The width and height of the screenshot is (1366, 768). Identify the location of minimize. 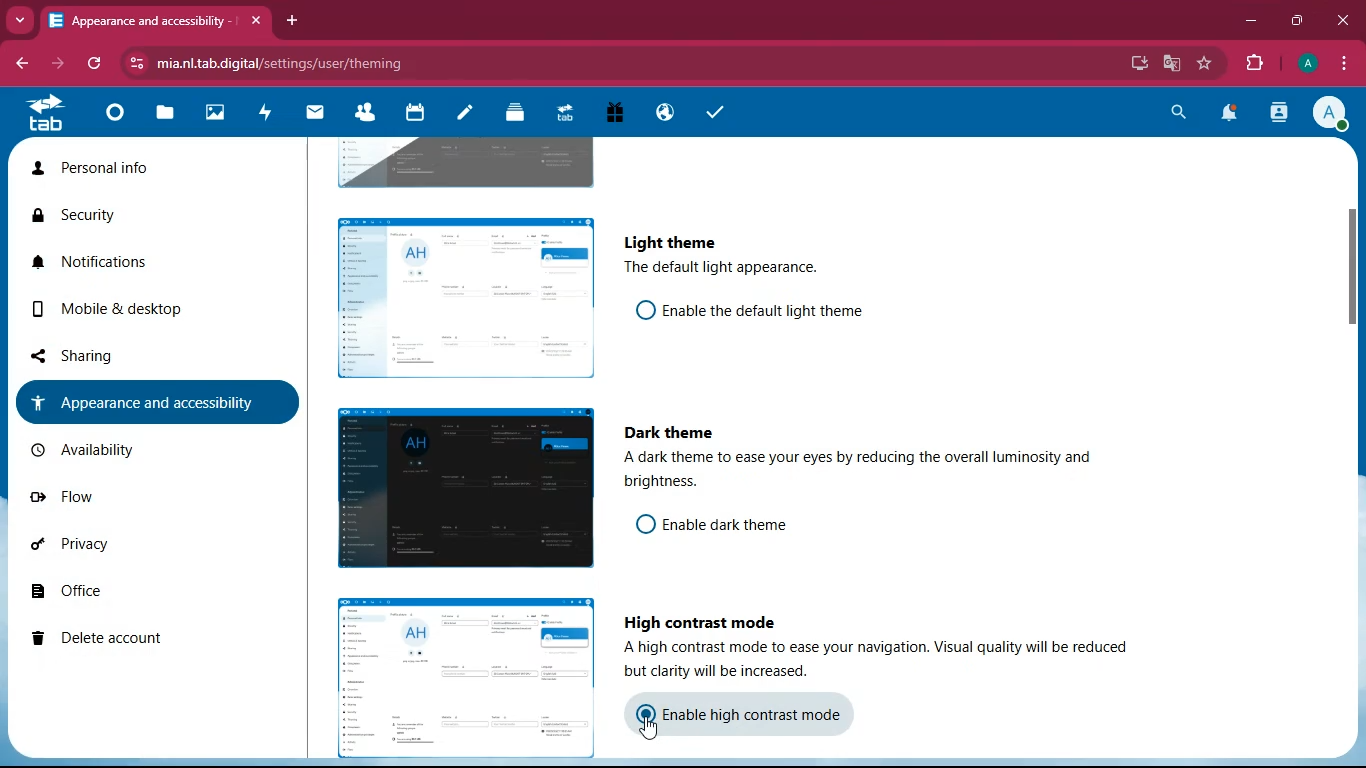
(1253, 24).